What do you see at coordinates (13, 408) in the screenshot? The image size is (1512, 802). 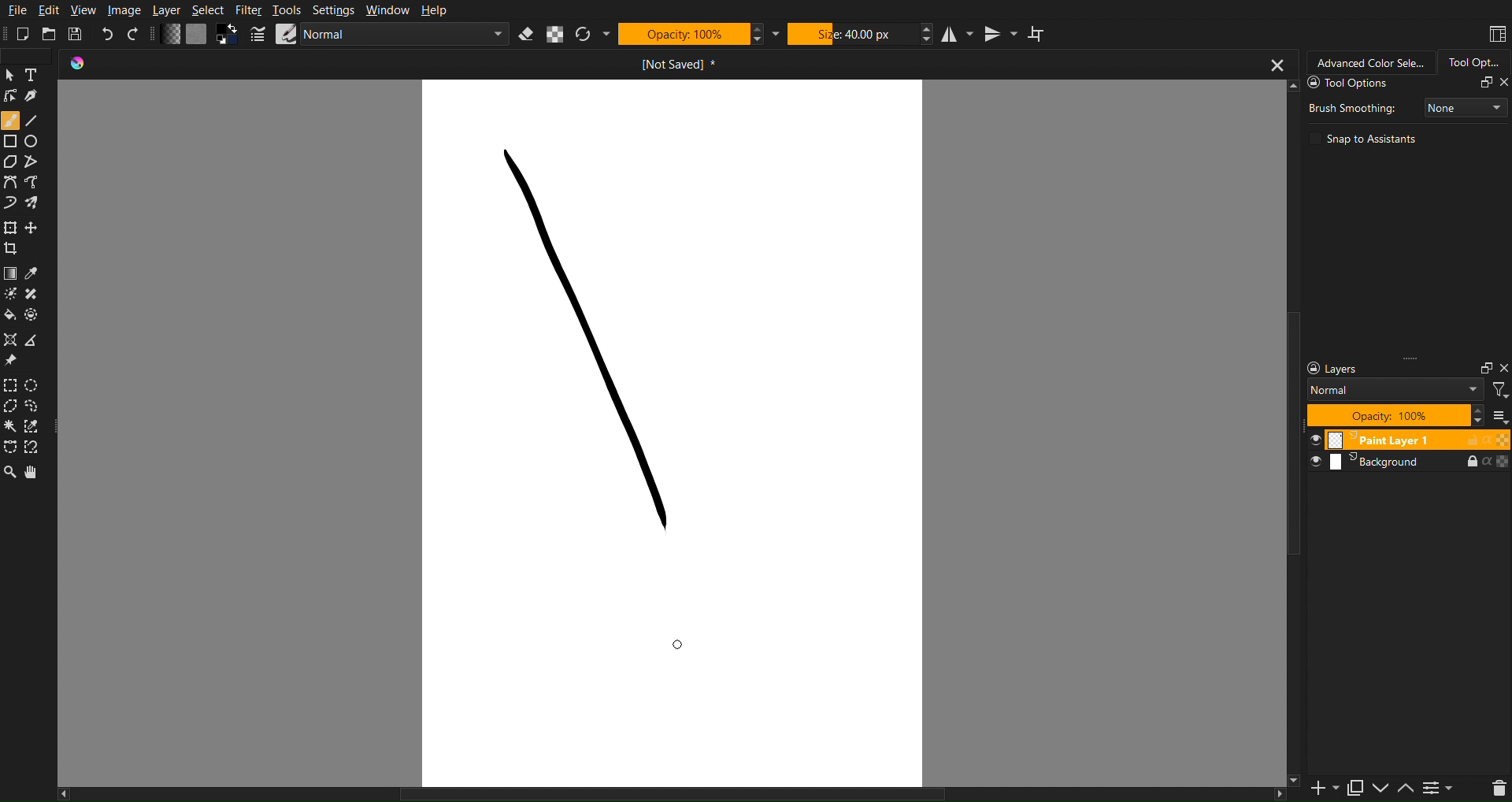 I see `Polygon Marquee Tool` at bounding box center [13, 408].